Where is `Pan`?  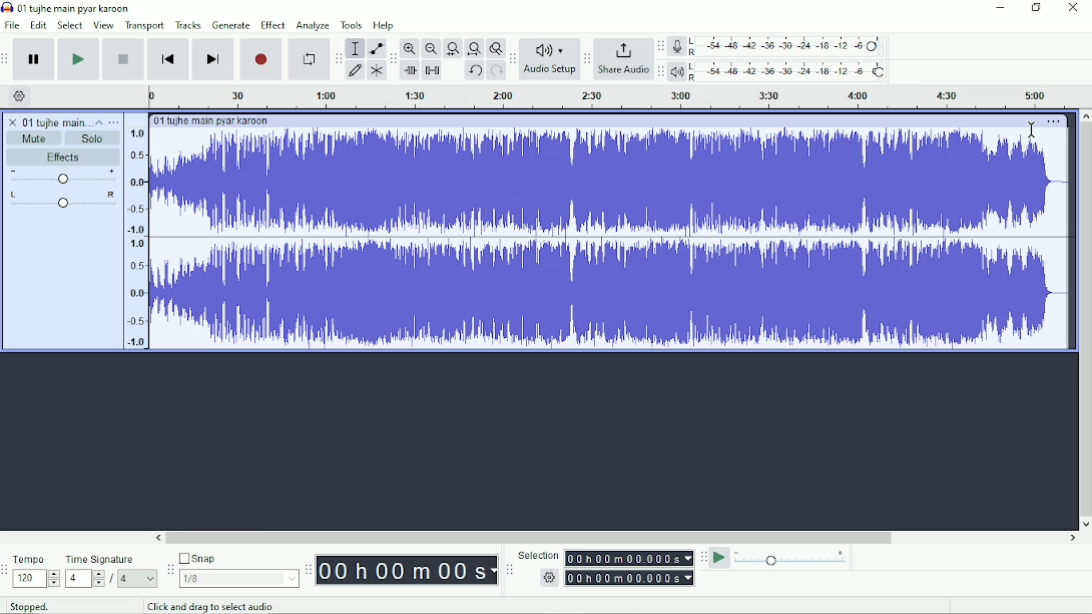 Pan is located at coordinates (60, 200).